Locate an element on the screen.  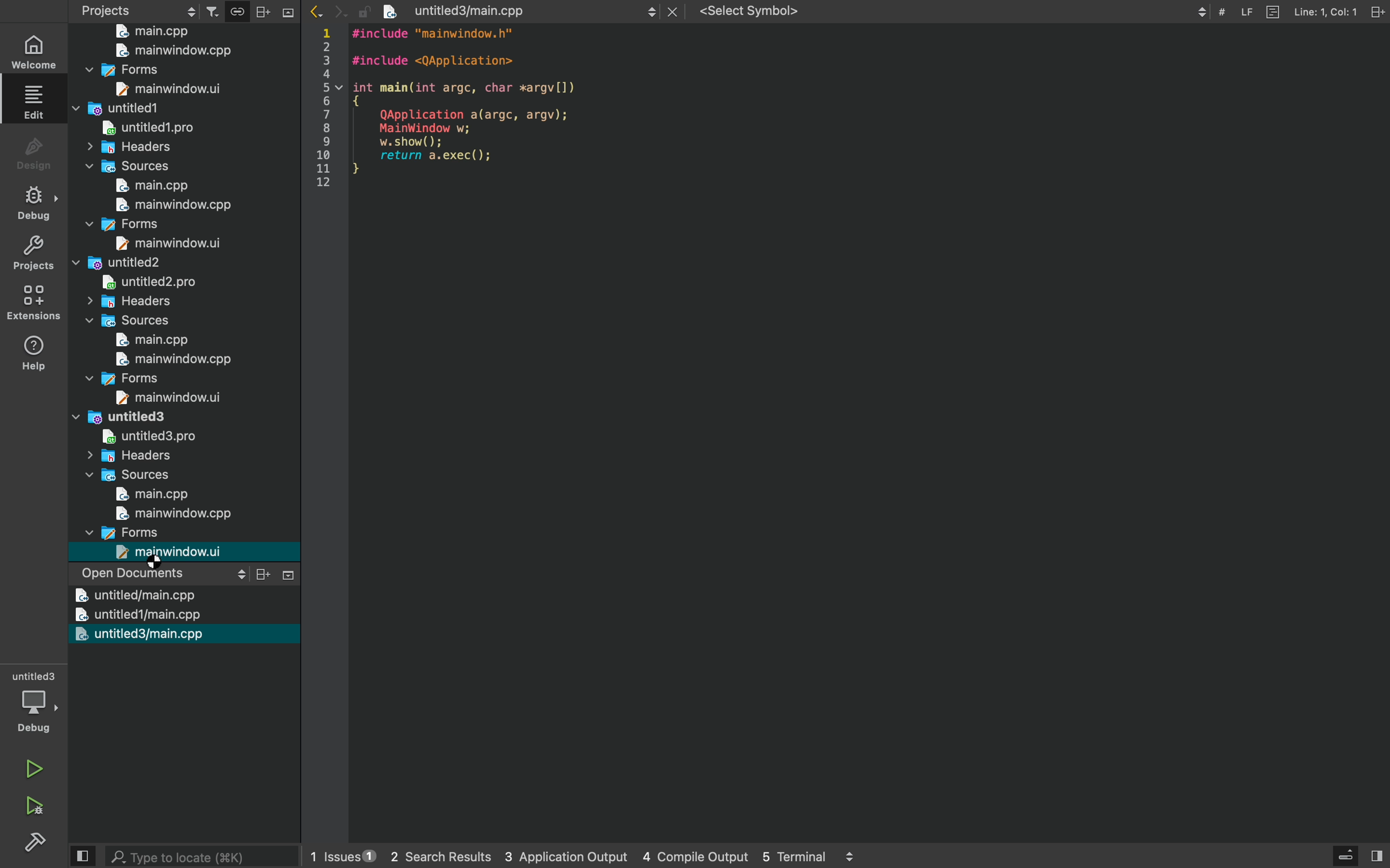
Sources is located at coordinates (153, 342).